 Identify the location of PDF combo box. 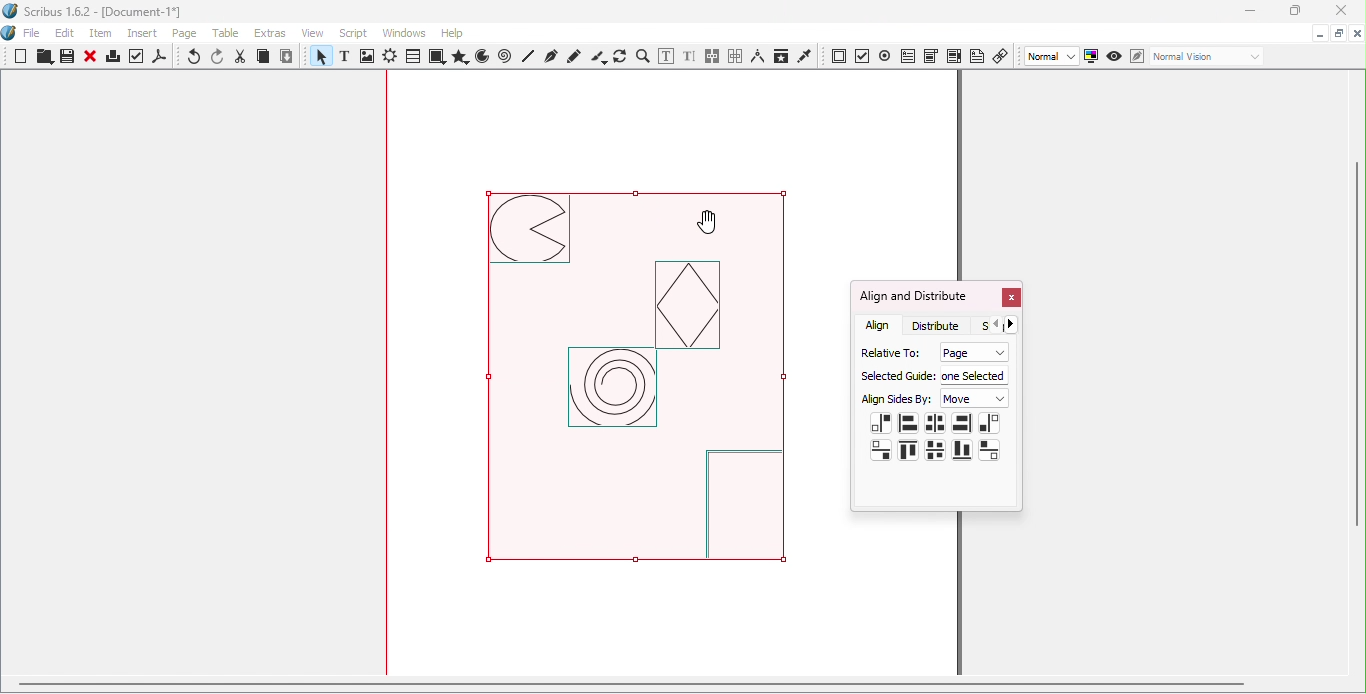
(930, 56).